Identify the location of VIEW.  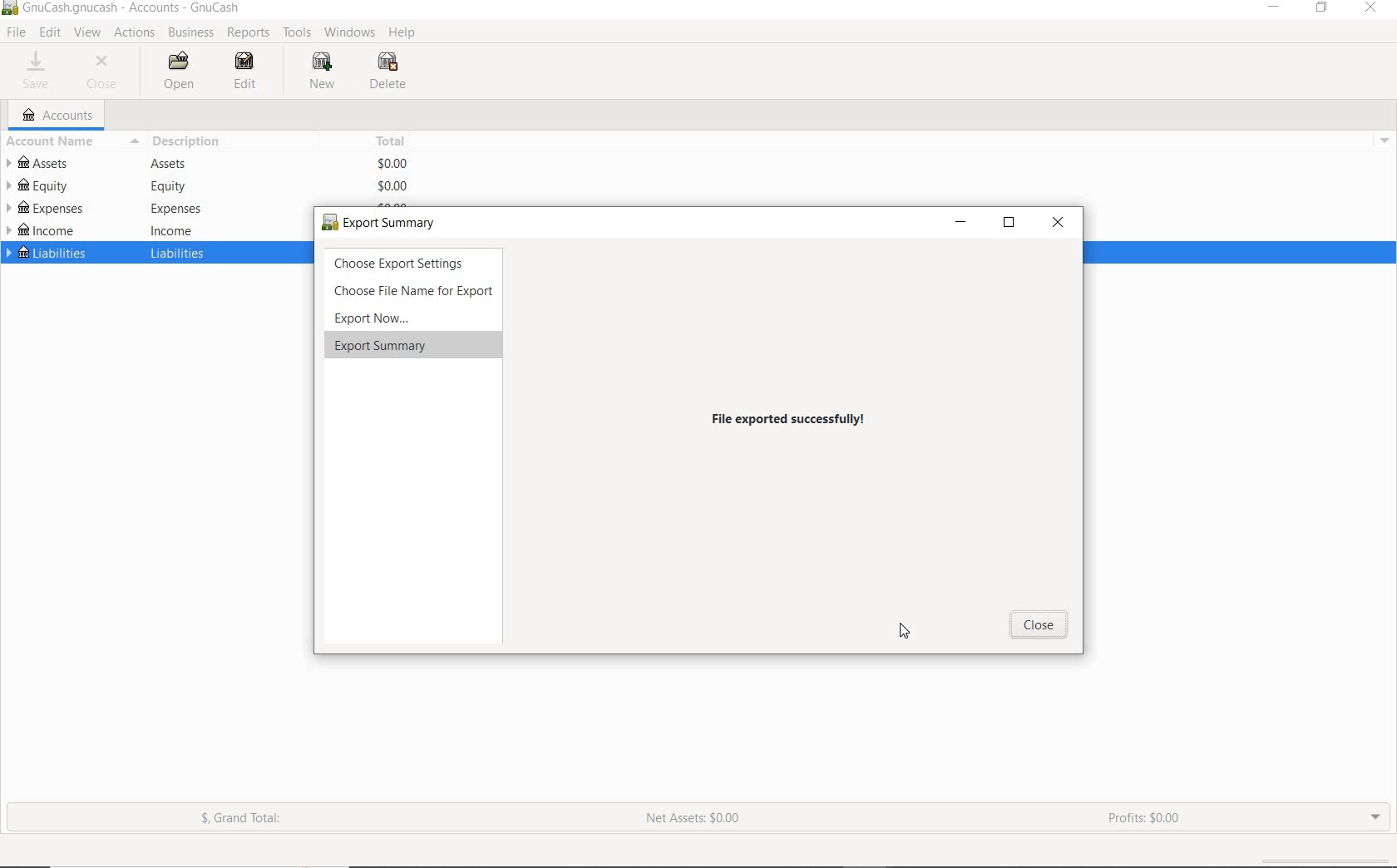
(90, 32).